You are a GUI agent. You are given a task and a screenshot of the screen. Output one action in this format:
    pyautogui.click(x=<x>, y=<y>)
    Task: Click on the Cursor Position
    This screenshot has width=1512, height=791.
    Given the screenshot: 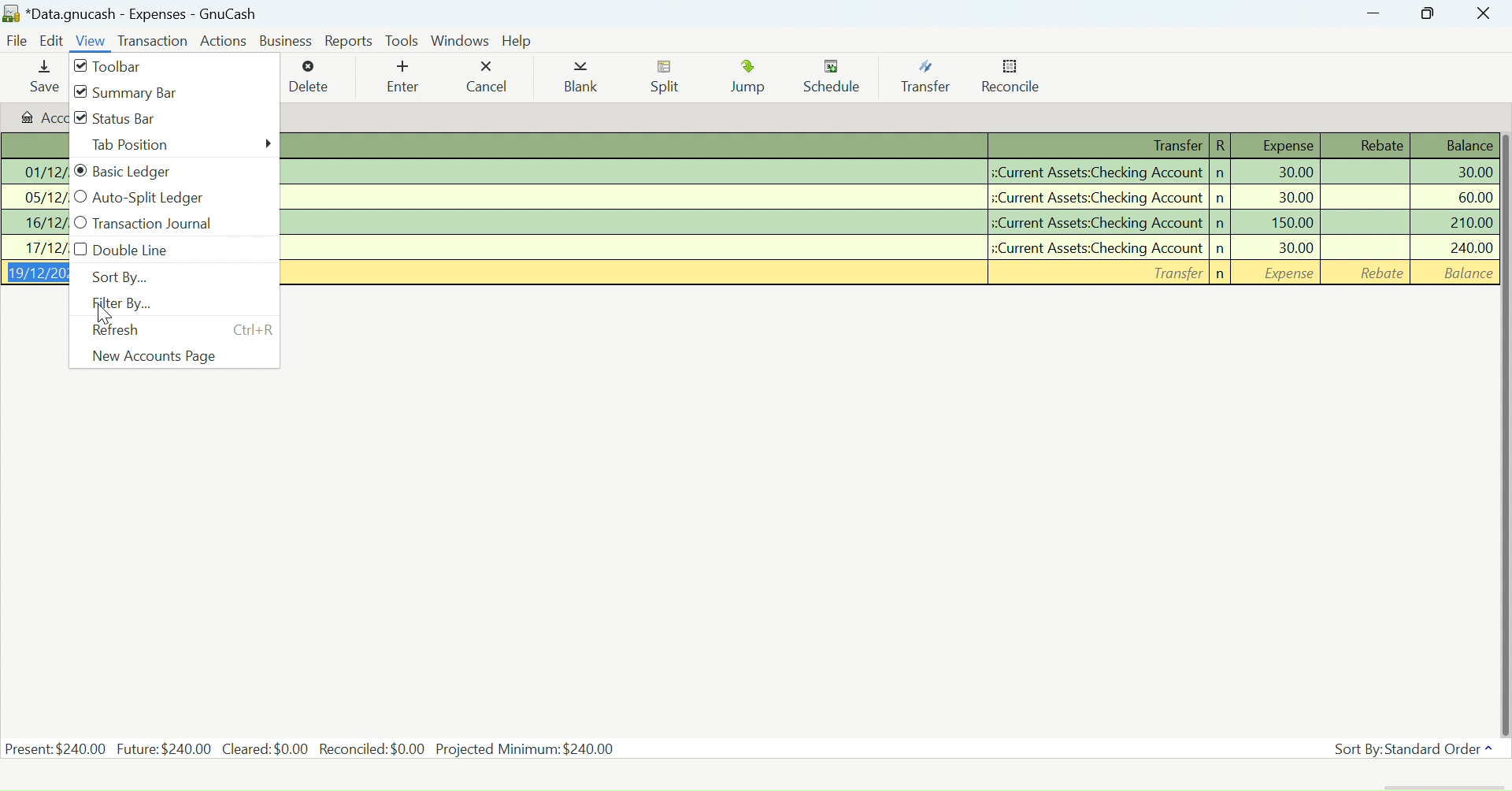 What is the action you would take?
    pyautogui.click(x=105, y=313)
    